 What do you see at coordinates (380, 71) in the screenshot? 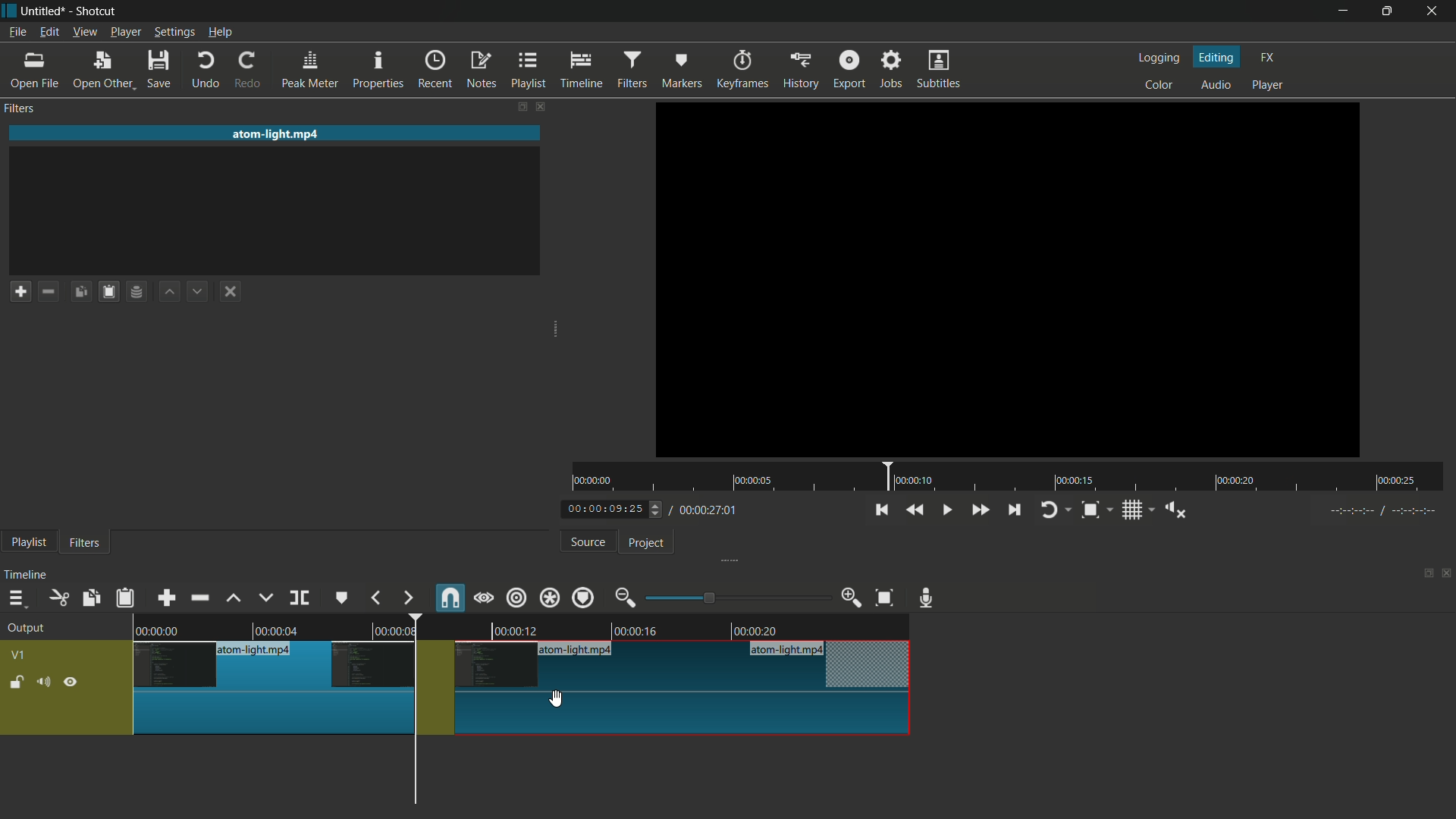
I see `properties` at bounding box center [380, 71].